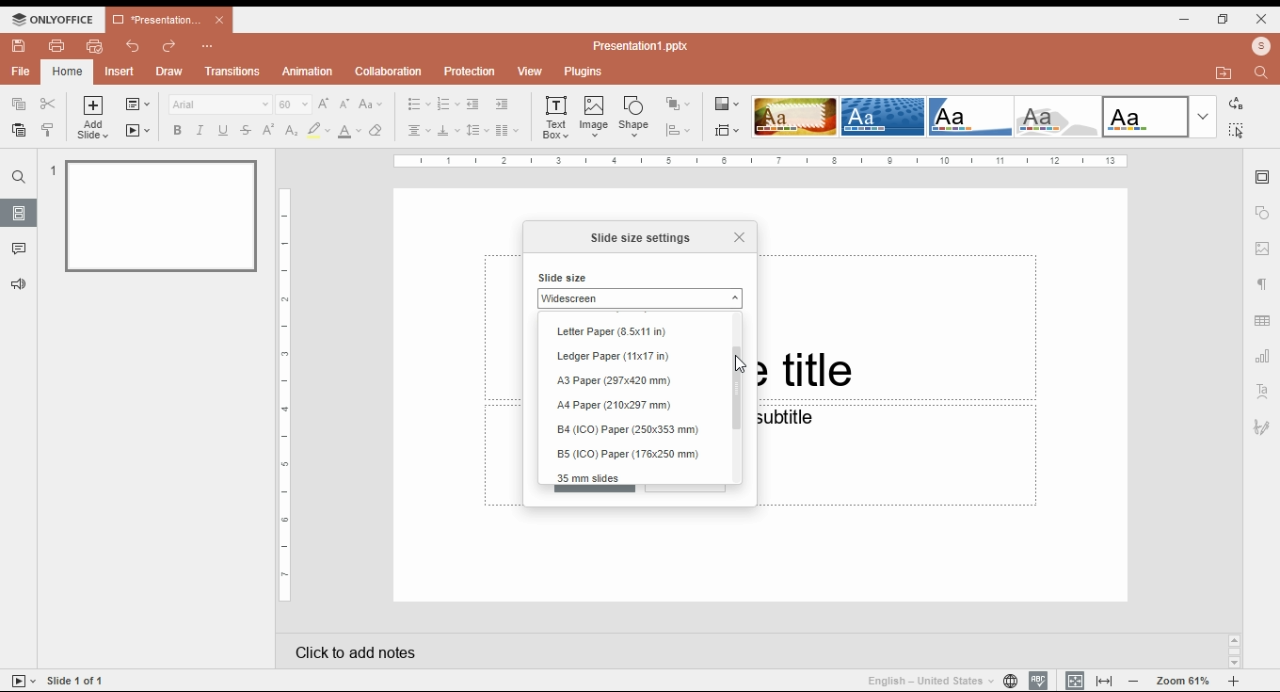  I want to click on slide them option, so click(1146, 116).